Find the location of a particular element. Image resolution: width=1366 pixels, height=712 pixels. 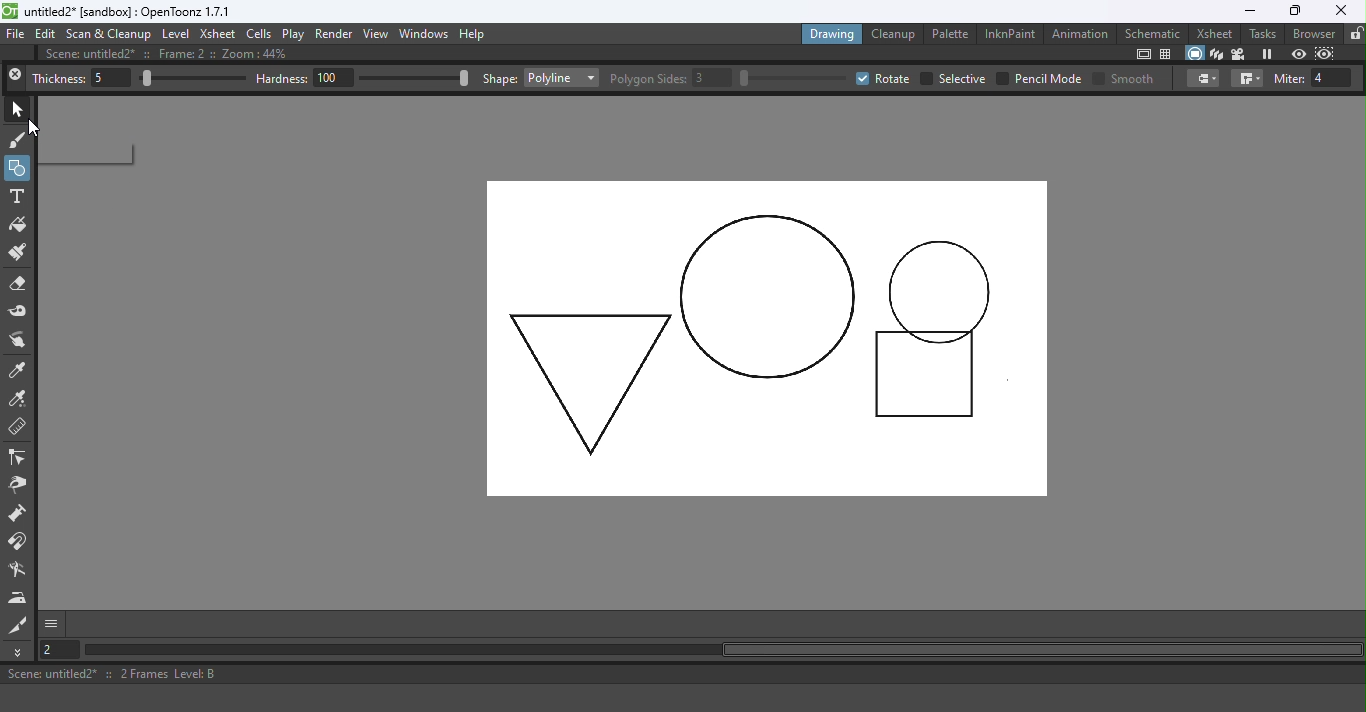

Lock rooms tab is located at coordinates (1354, 34).